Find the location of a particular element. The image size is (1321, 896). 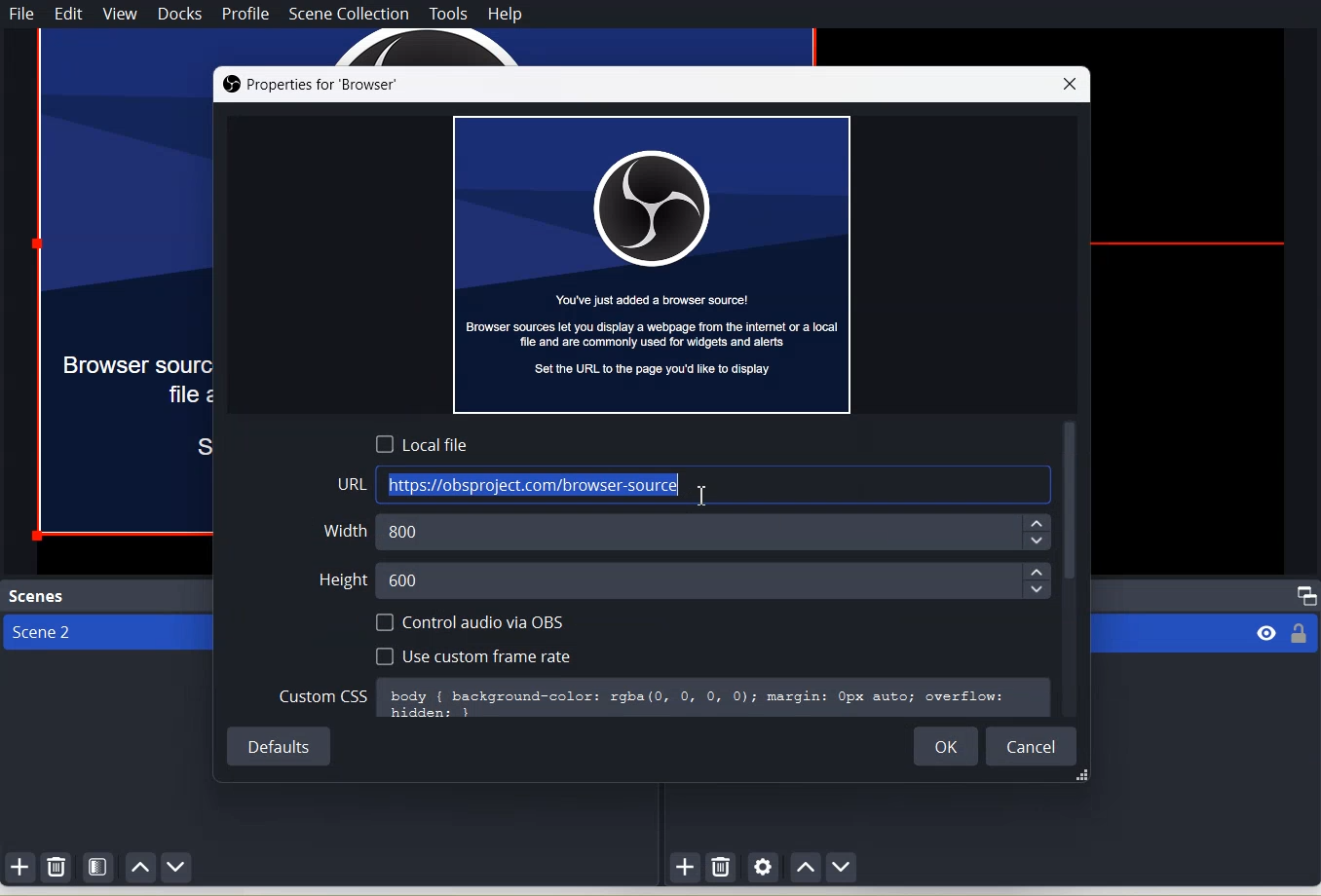

Local File is located at coordinates (424, 443).